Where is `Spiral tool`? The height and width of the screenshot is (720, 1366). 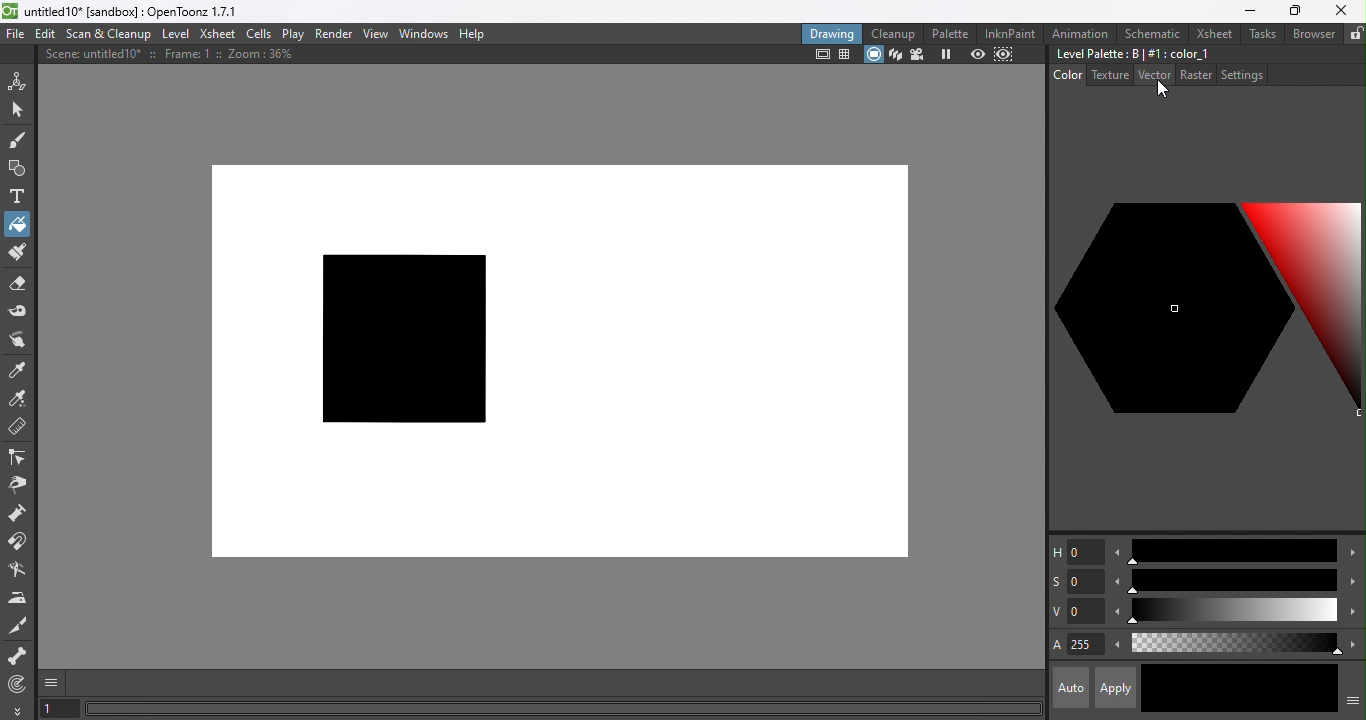 Spiral tool is located at coordinates (22, 683).